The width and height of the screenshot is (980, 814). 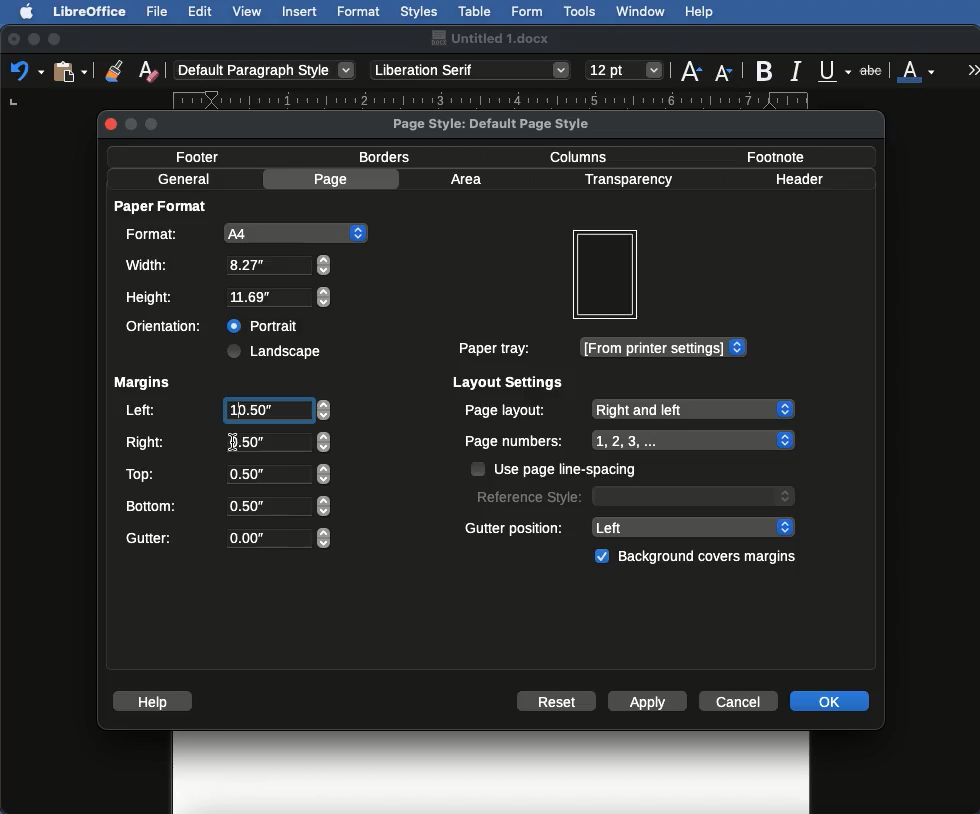 What do you see at coordinates (26, 70) in the screenshot?
I see `Undo` at bounding box center [26, 70].